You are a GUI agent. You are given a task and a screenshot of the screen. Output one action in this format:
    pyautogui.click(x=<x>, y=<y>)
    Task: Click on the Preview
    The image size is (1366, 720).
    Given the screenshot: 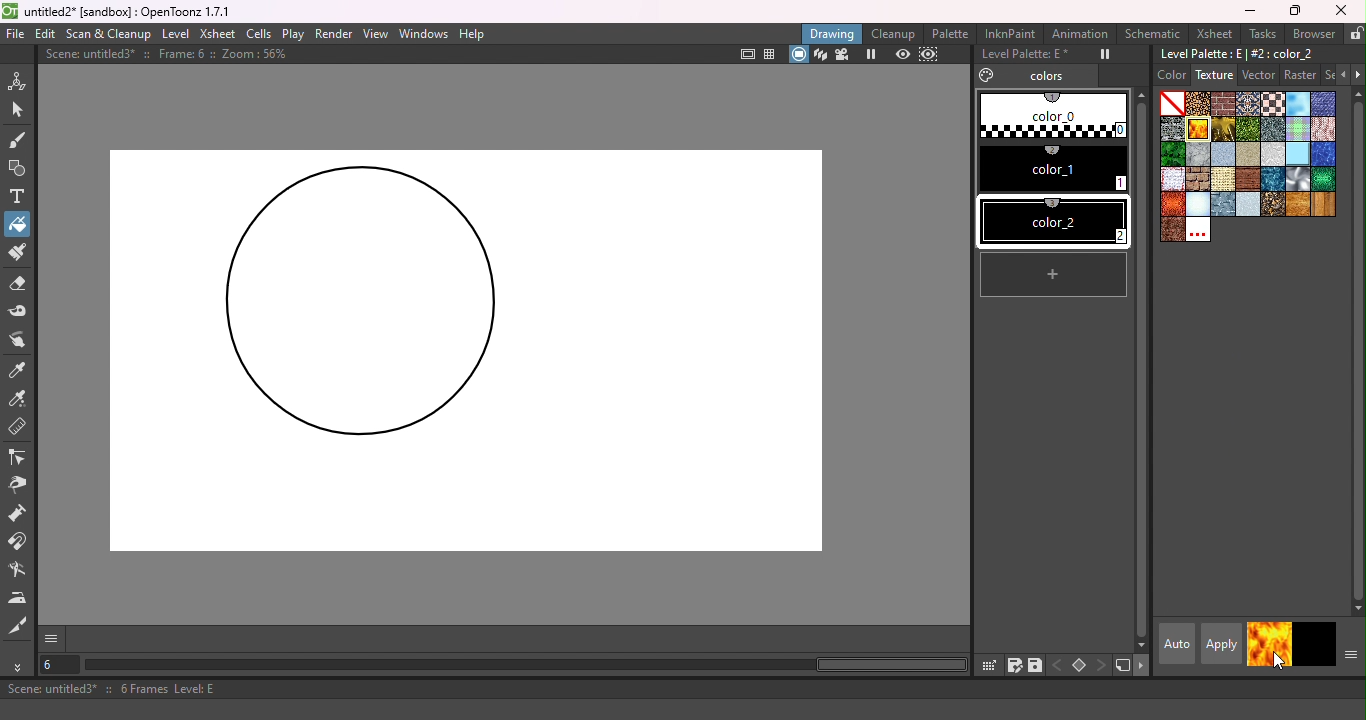 What is the action you would take?
    pyautogui.click(x=900, y=54)
    